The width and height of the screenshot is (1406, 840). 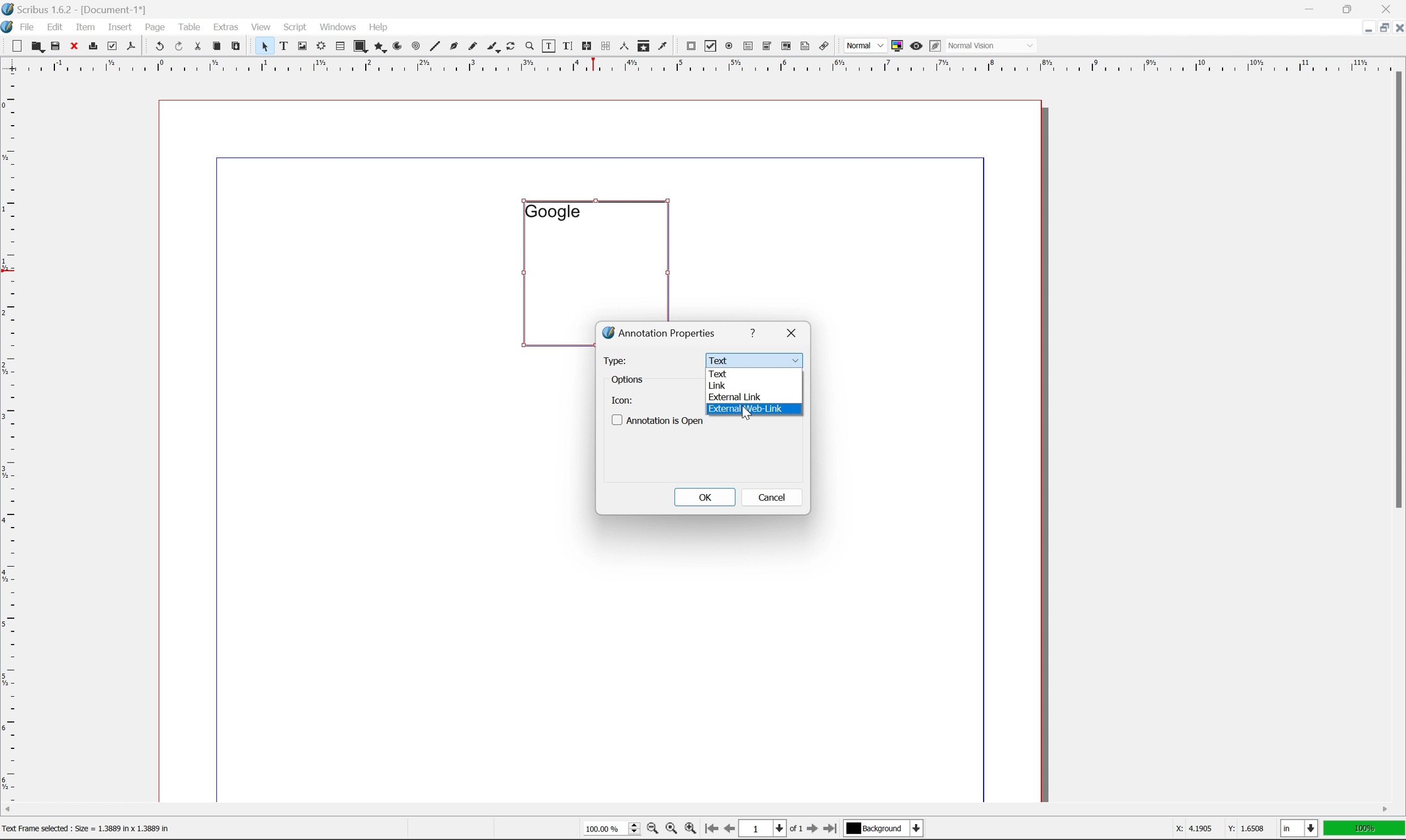 I want to click on text, so click(x=715, y=373).